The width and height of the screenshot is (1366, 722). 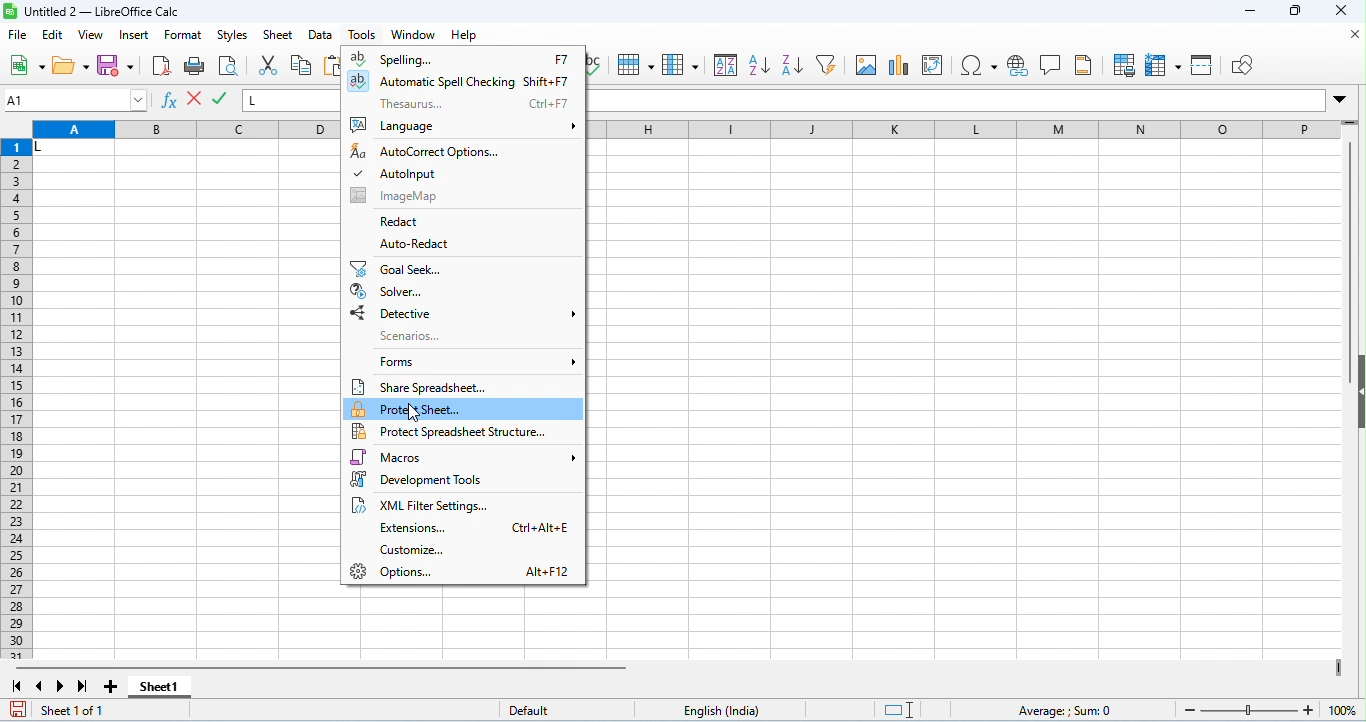 What do you see at coordinates (94, 11) in the screenshot?
I see `untitled 2- libreoffice calc` at bounding box center [94, 11].